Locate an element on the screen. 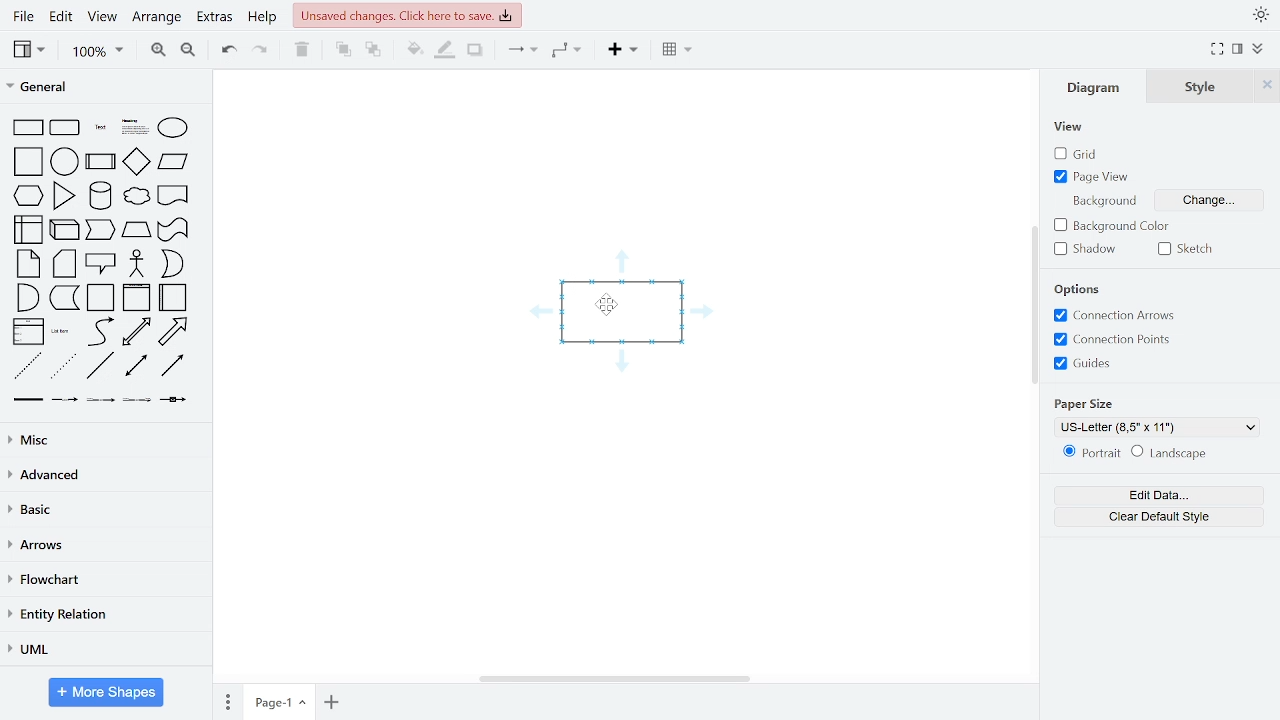 Image resolution: width=1280 pixels, height=720 pixels. or is located at coordinates (171, 264).